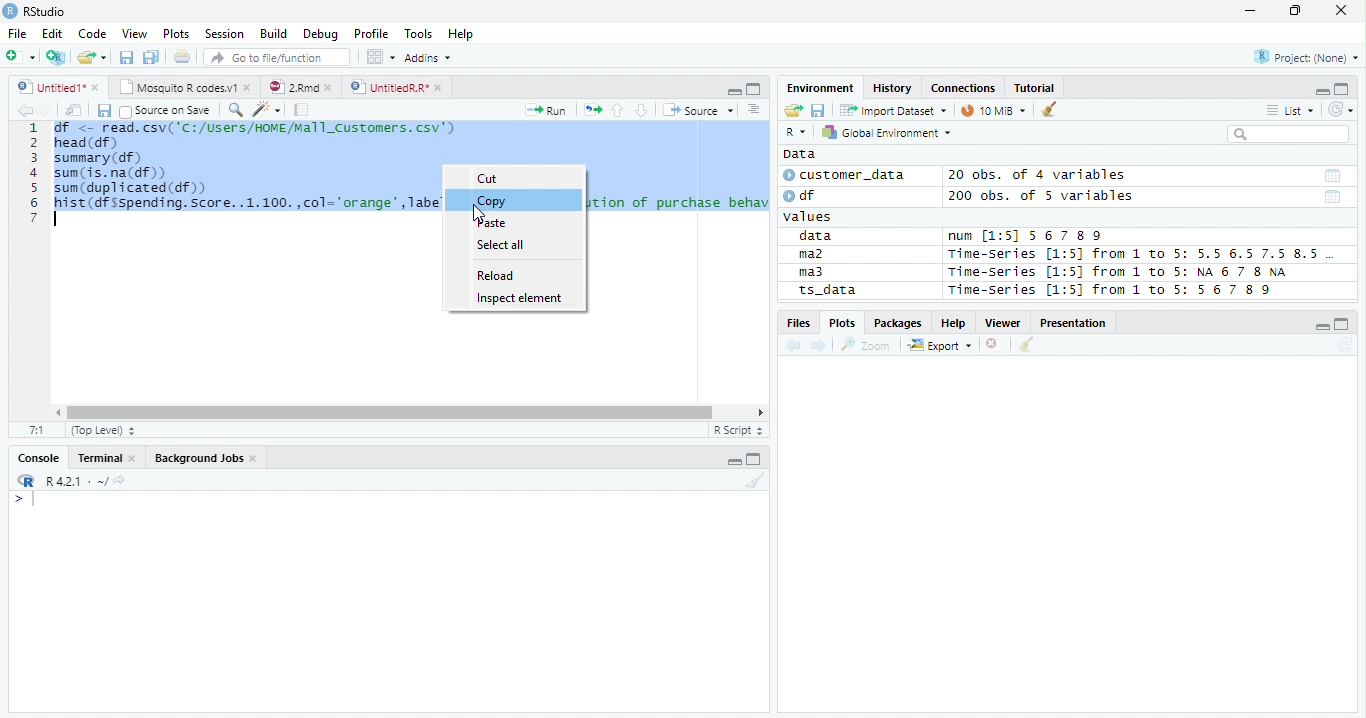  I want to click on Open Folder, so click(93, 56).